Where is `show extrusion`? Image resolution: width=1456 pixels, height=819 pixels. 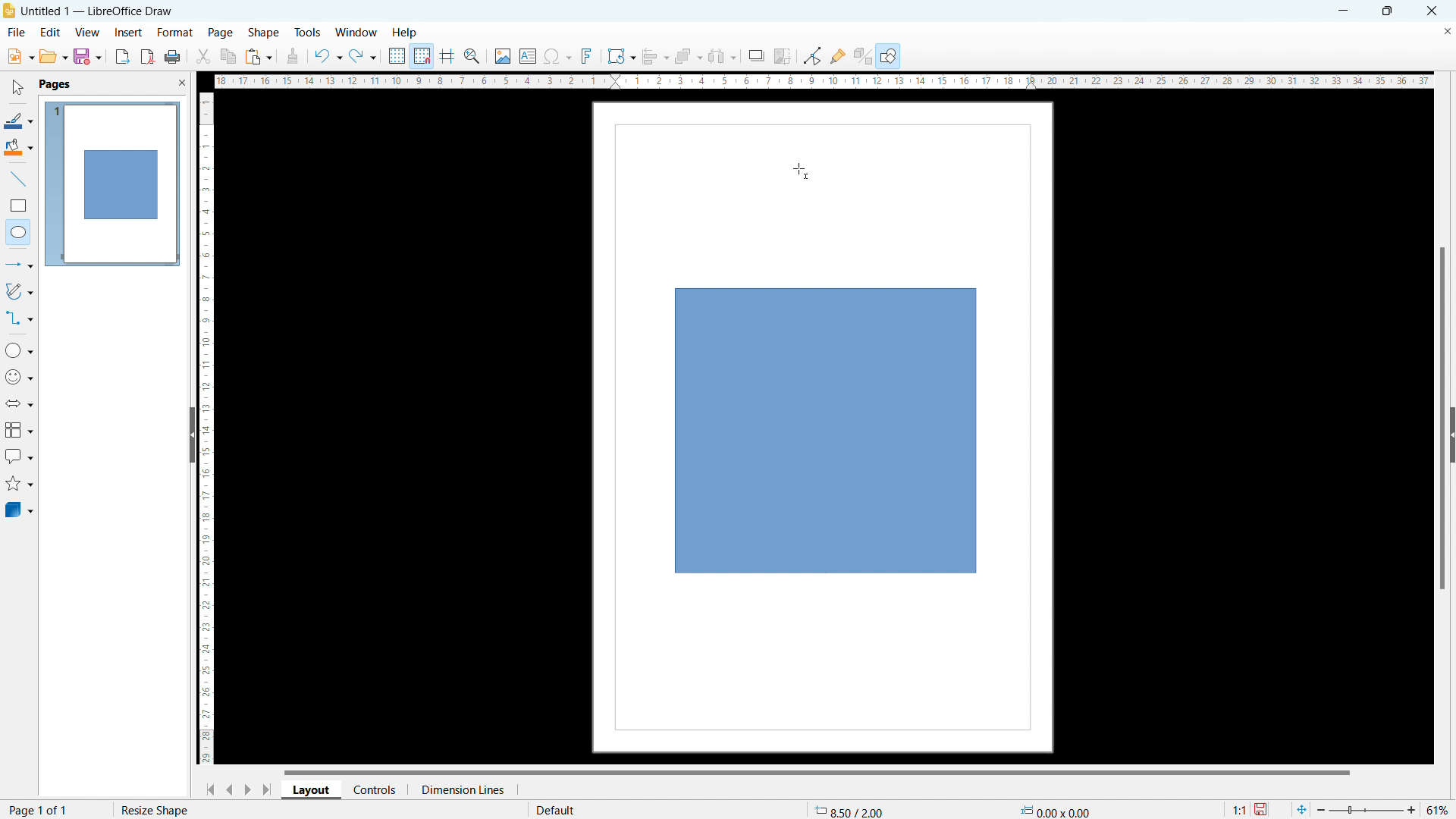 show extrusion is located at coordinates (863, 57).